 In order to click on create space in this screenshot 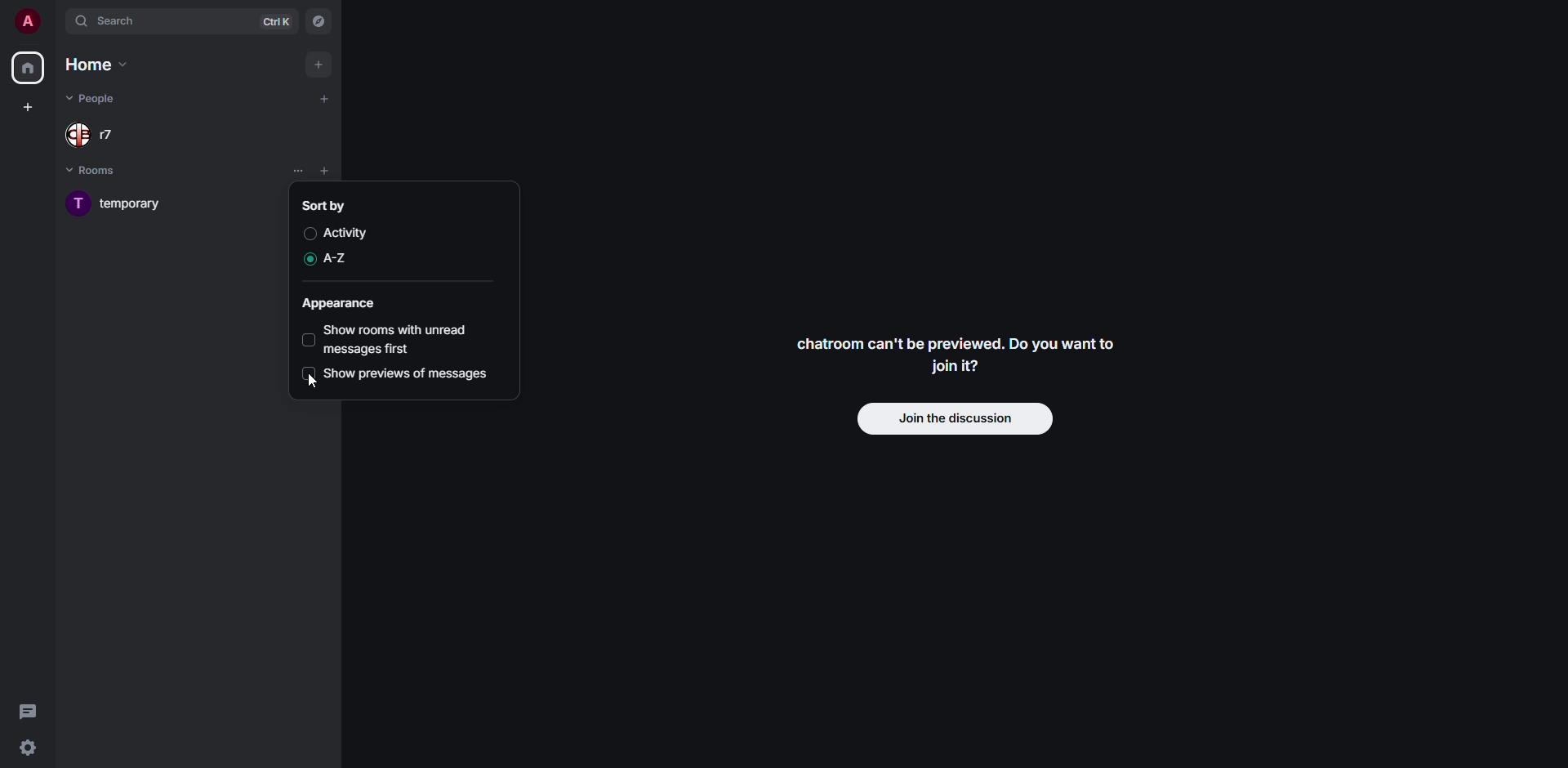, I will do `click(25, 106)`.